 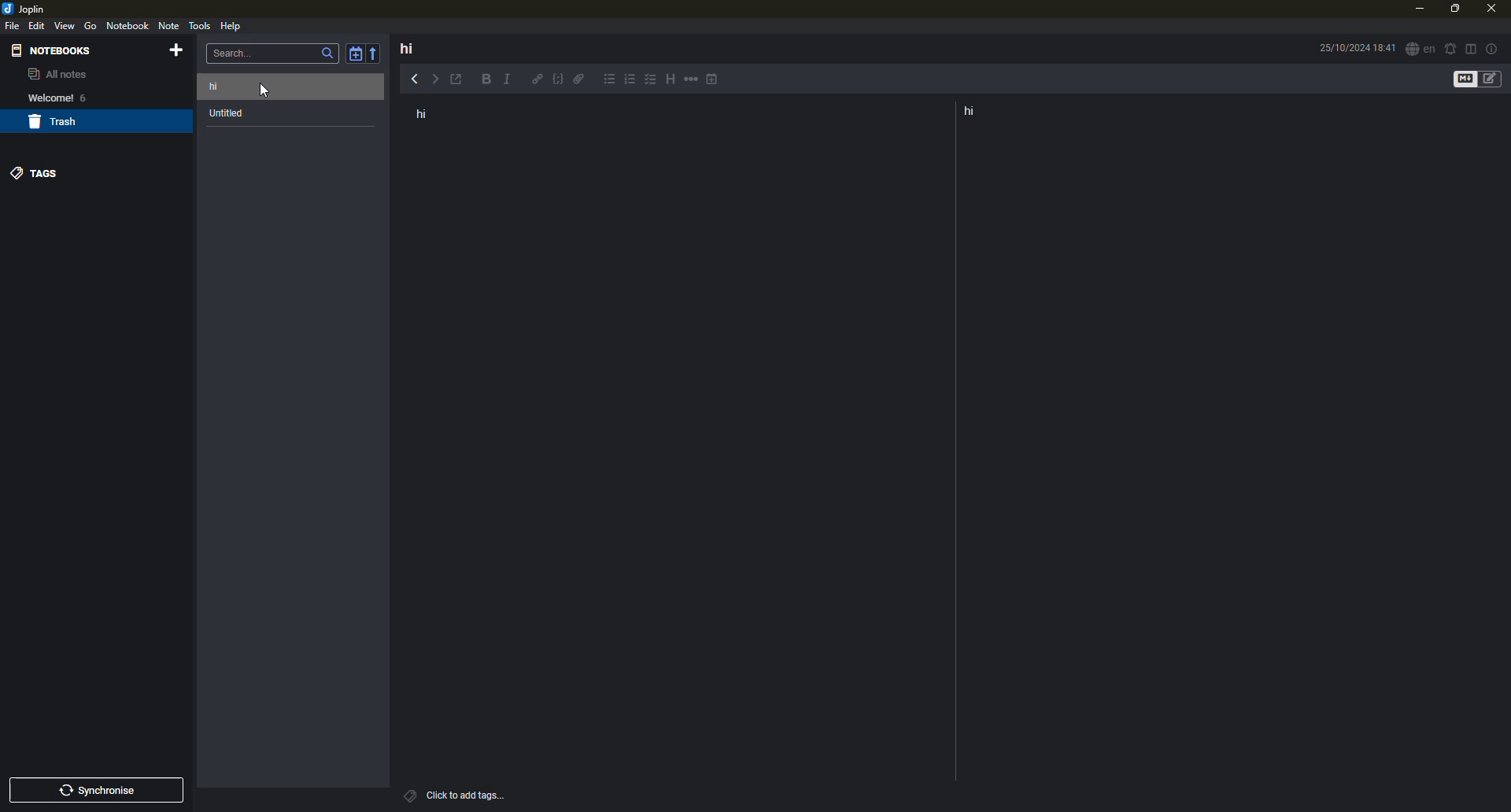 I want to click on set alarm, so click(x=1450, y=47).